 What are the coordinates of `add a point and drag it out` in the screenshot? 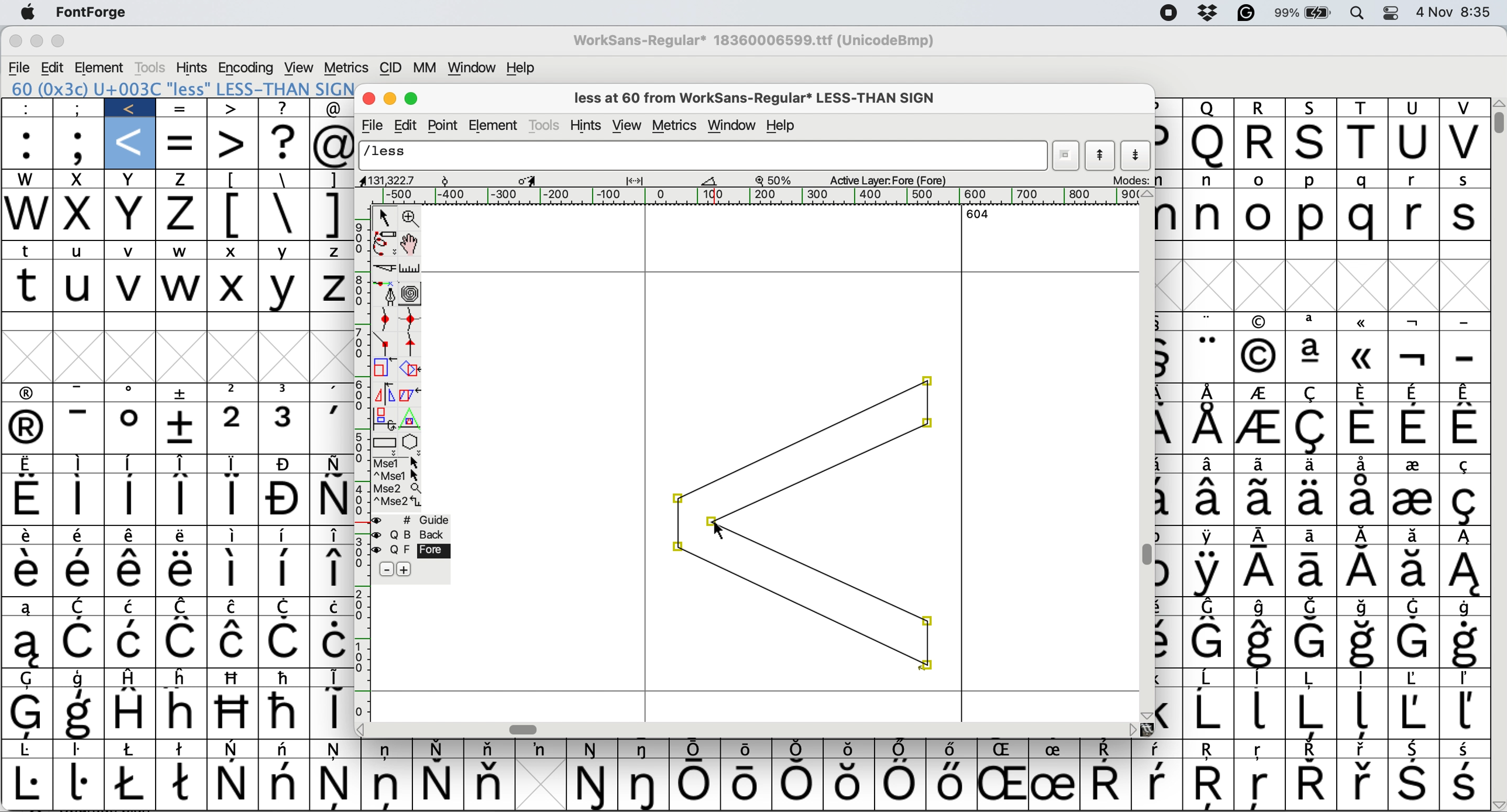 It's located at (386, 293).